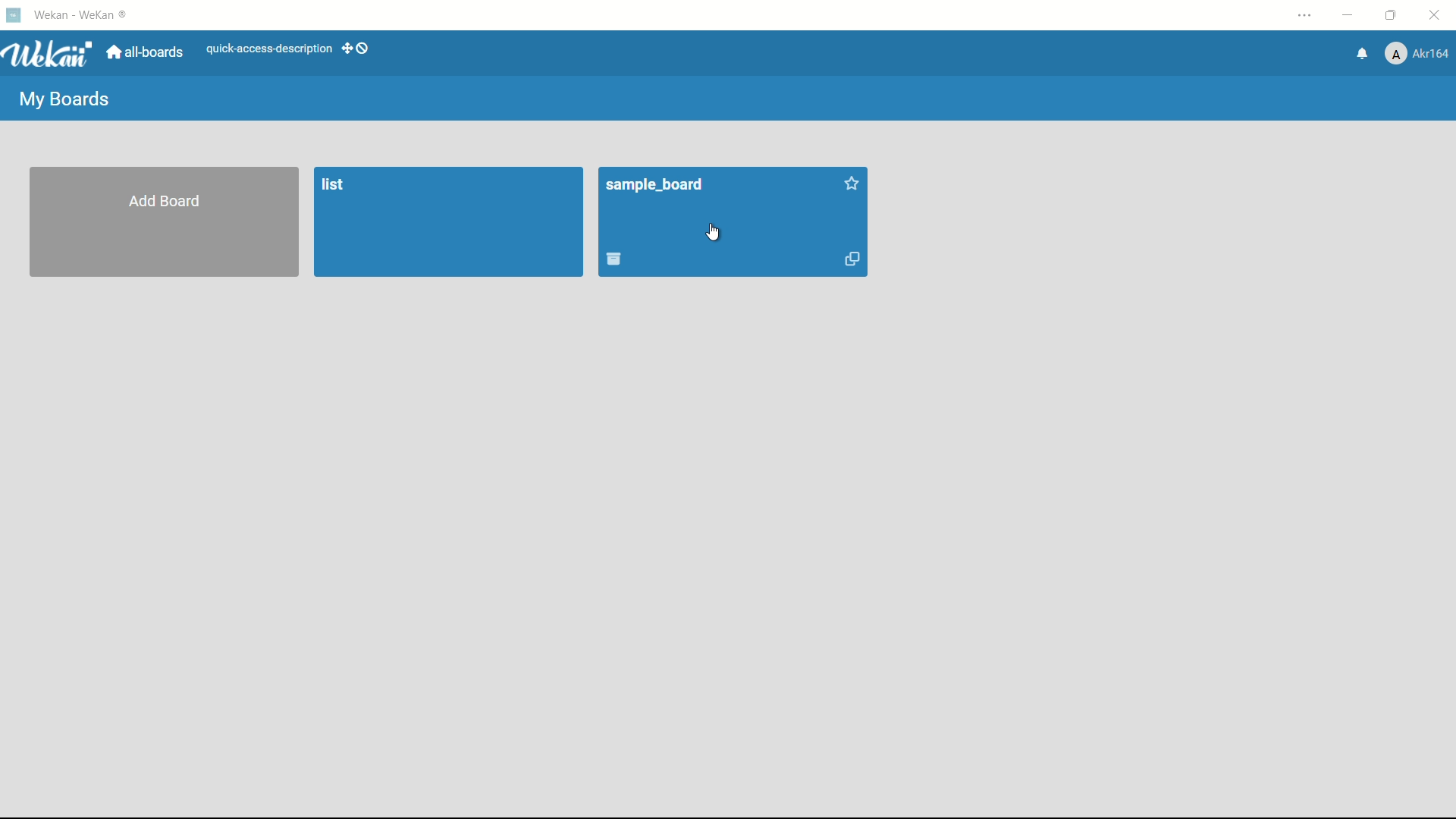  What do you see at coordinates (1360, 52) in the screenshot?
I see `notifications` at bounding box center [1360, 52].